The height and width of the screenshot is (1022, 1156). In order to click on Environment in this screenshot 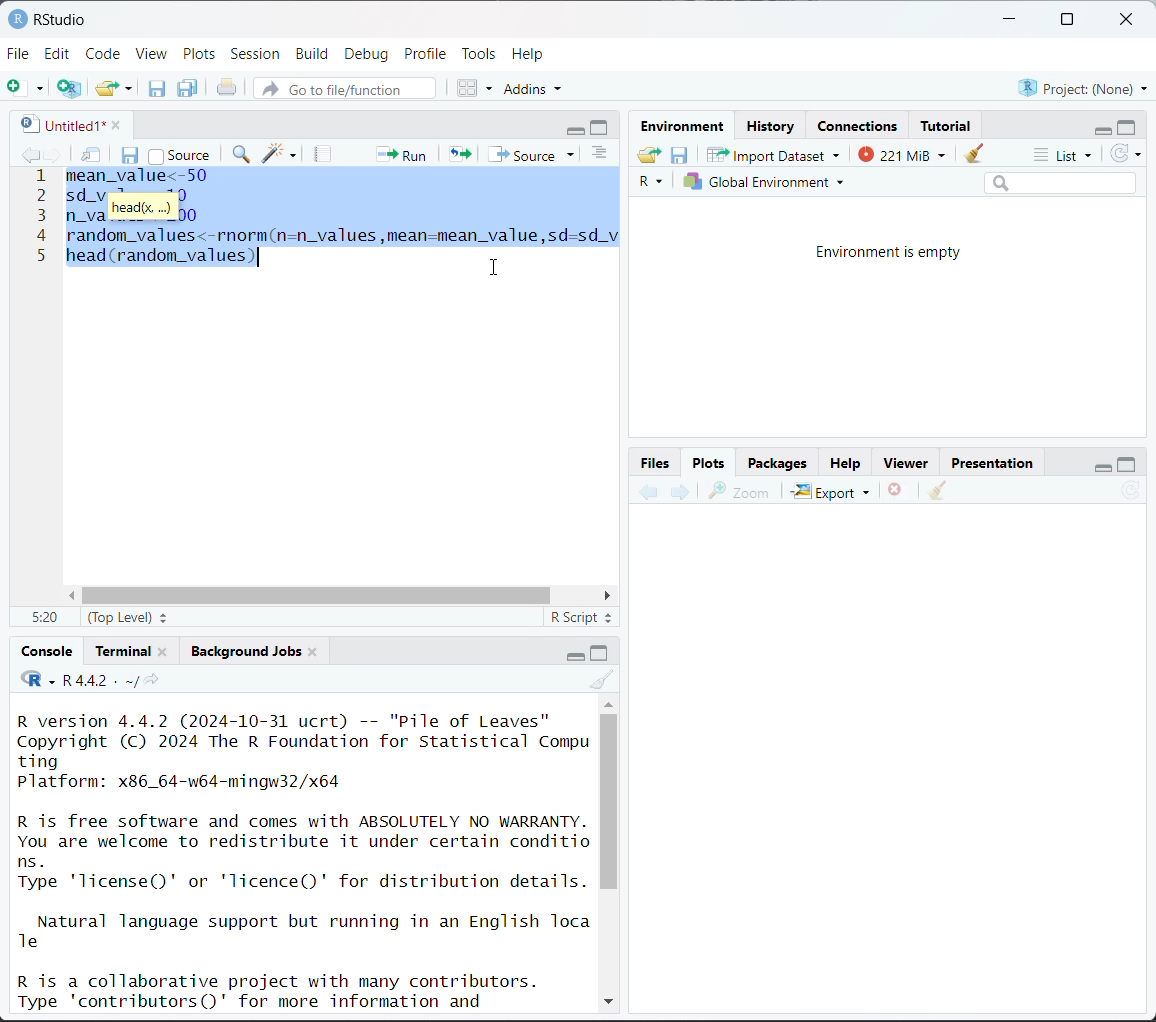, I will do `click(686, 127)`.